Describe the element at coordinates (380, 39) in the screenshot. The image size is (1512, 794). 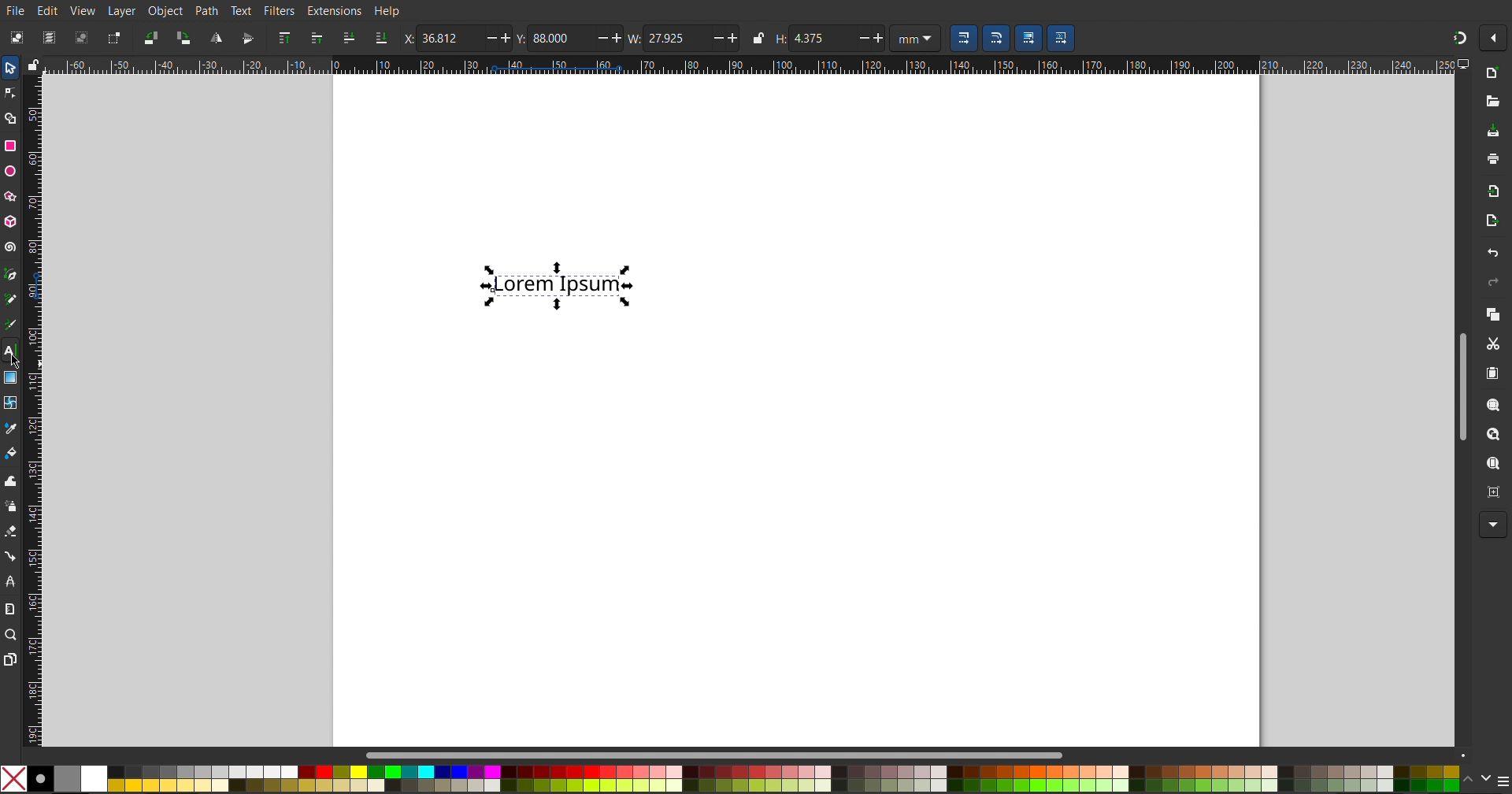
I see `Lower selection to bottom` at that location.